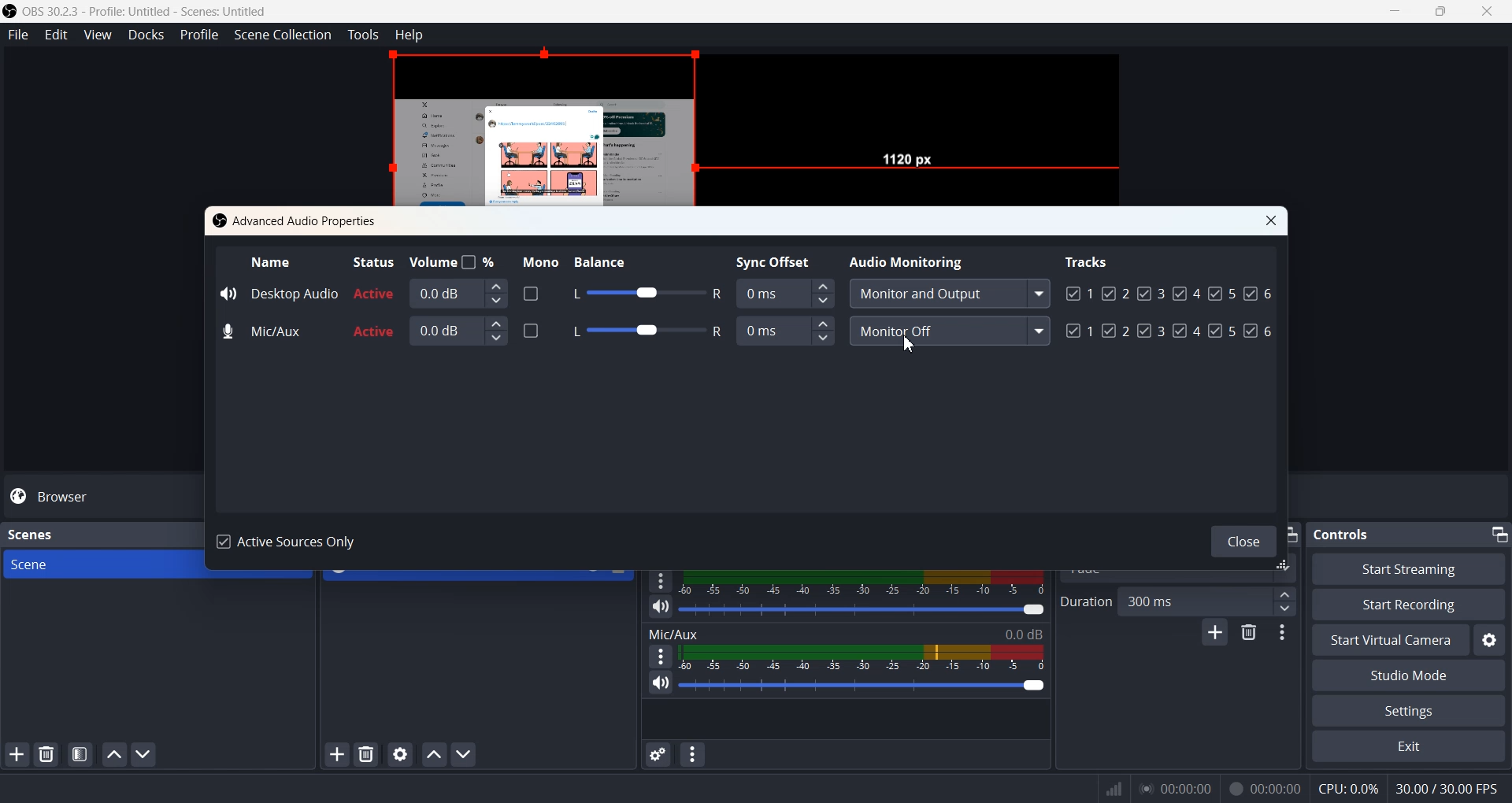  What do you see at coordinates (536, 260) in the screenshot?
I see `Mono` at bounding box center [536, 260].